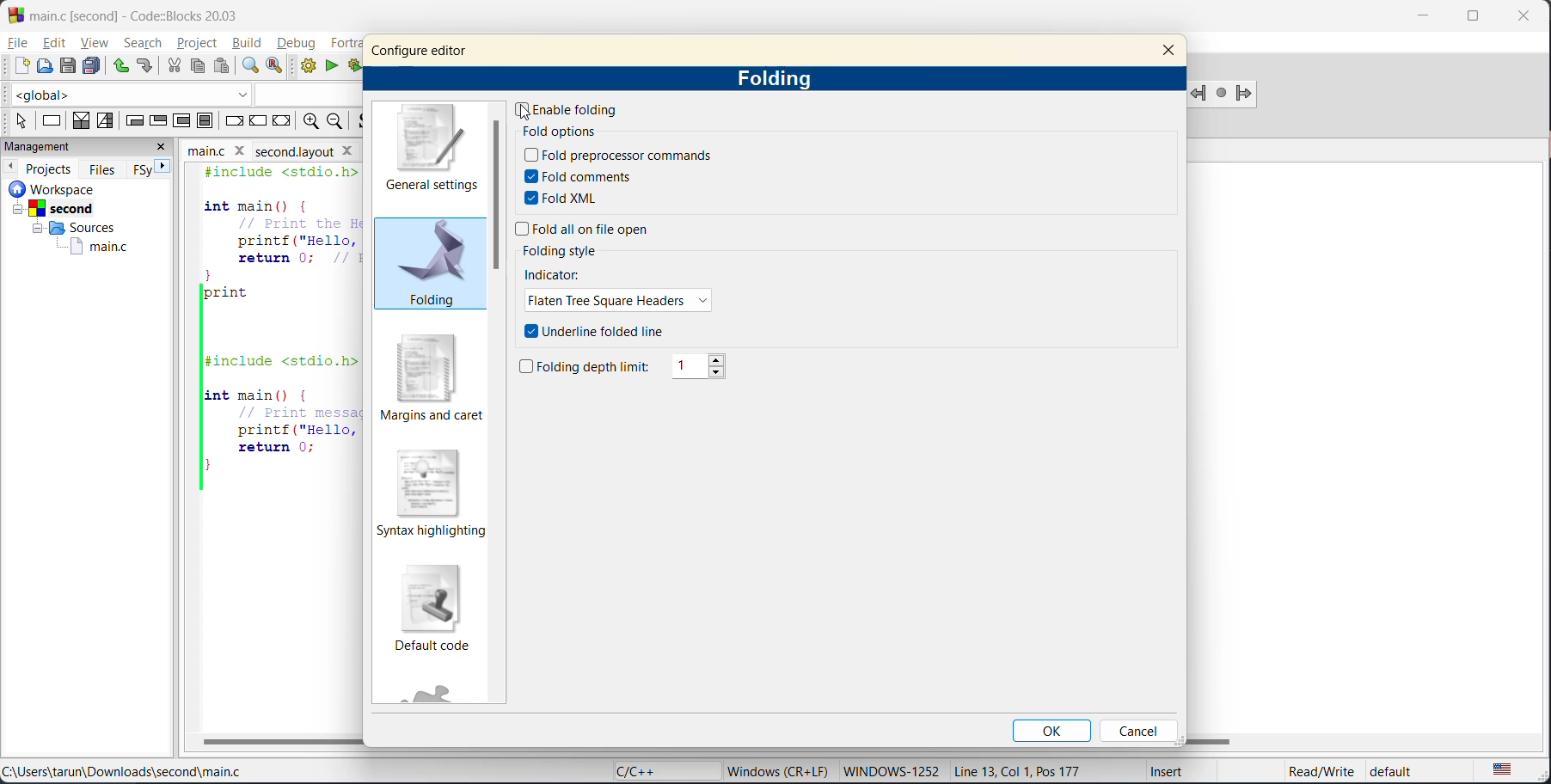  Describe the element at coordinates (437, 149) in the screenshot. I see `general settings` at that location.